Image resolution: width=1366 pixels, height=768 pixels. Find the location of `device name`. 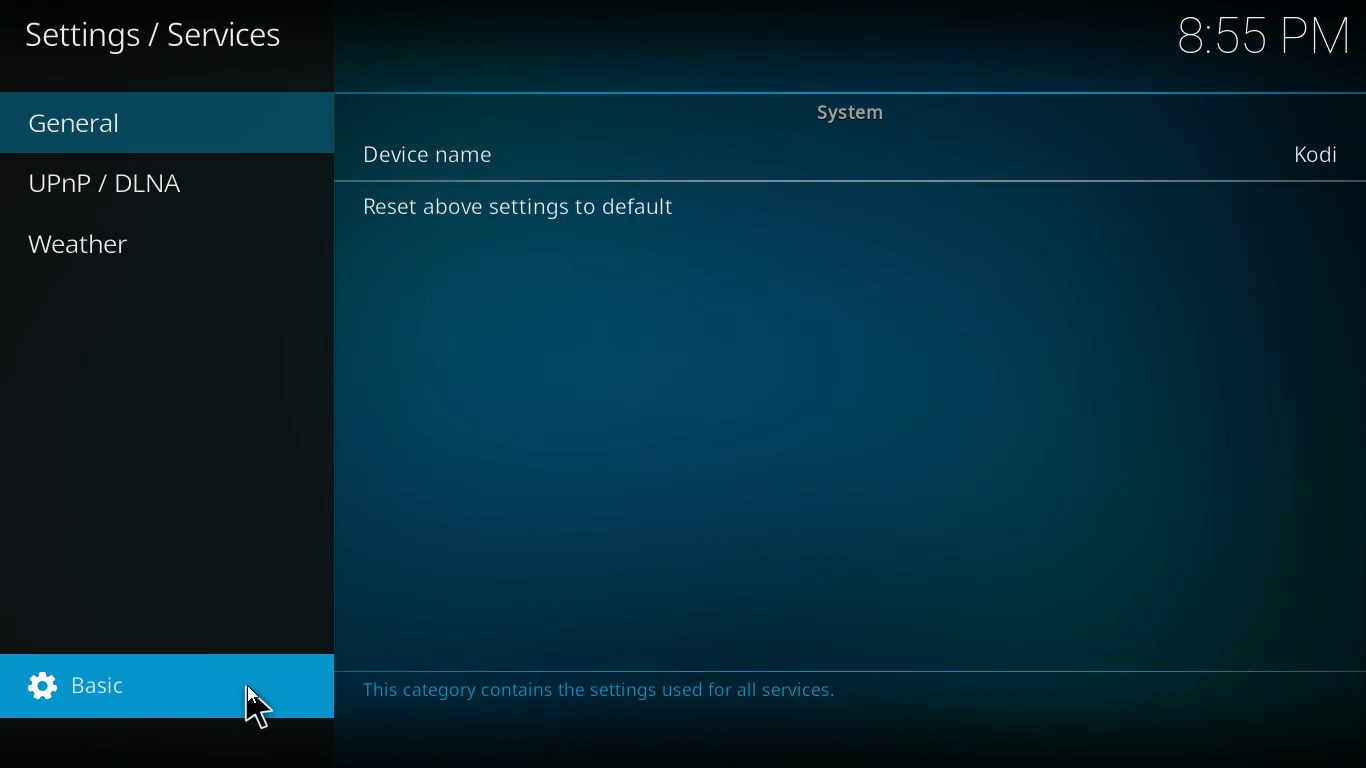

device name is located at coordinates (447, 151).